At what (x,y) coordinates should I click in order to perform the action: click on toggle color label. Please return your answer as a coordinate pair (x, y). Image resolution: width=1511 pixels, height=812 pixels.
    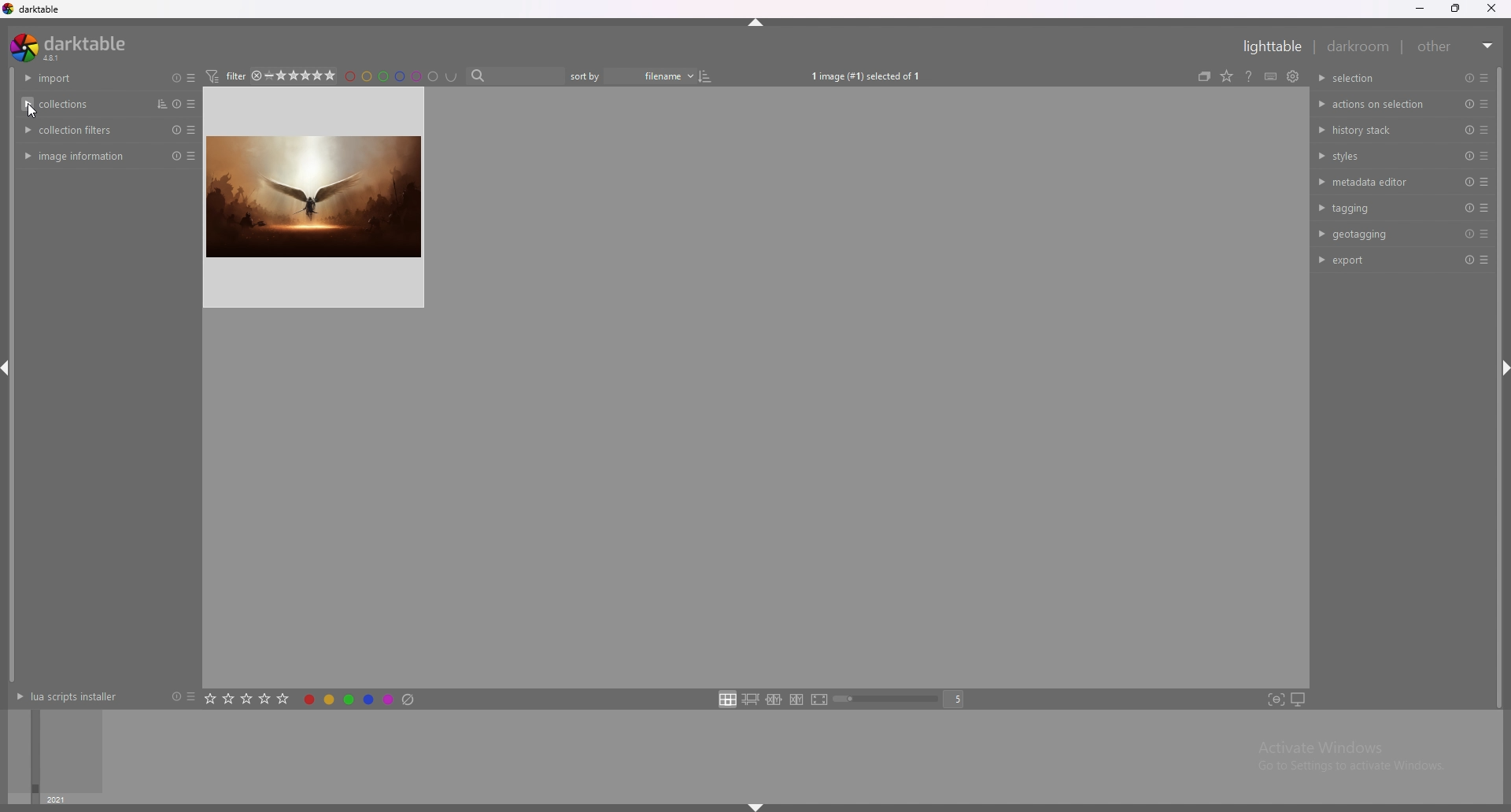
    Looking at the image, I should click on (360, 698).